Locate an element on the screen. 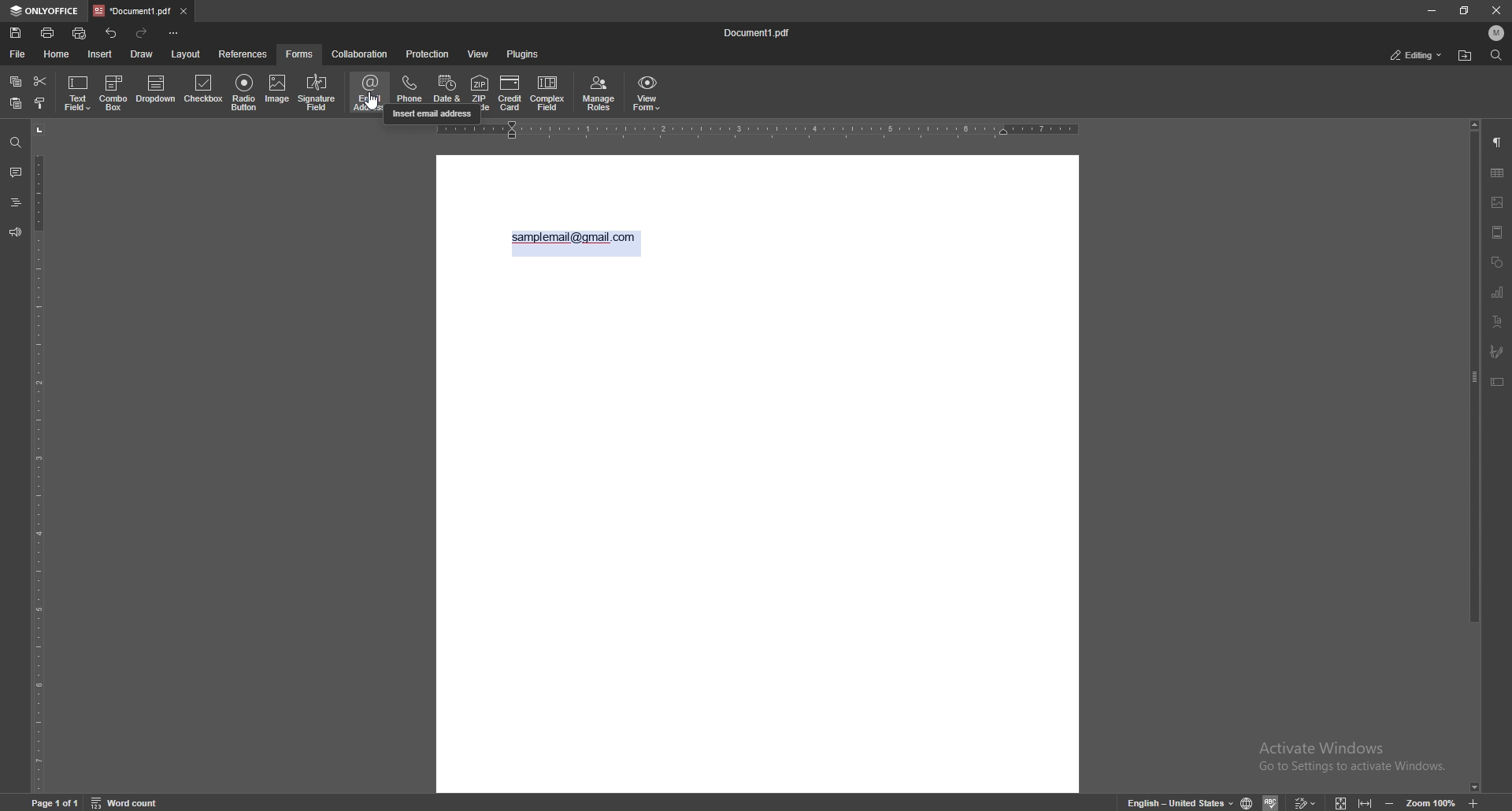 The width and height of the screenshot is (1512, 811). horizontal scale is located at coordinates (758, 133).